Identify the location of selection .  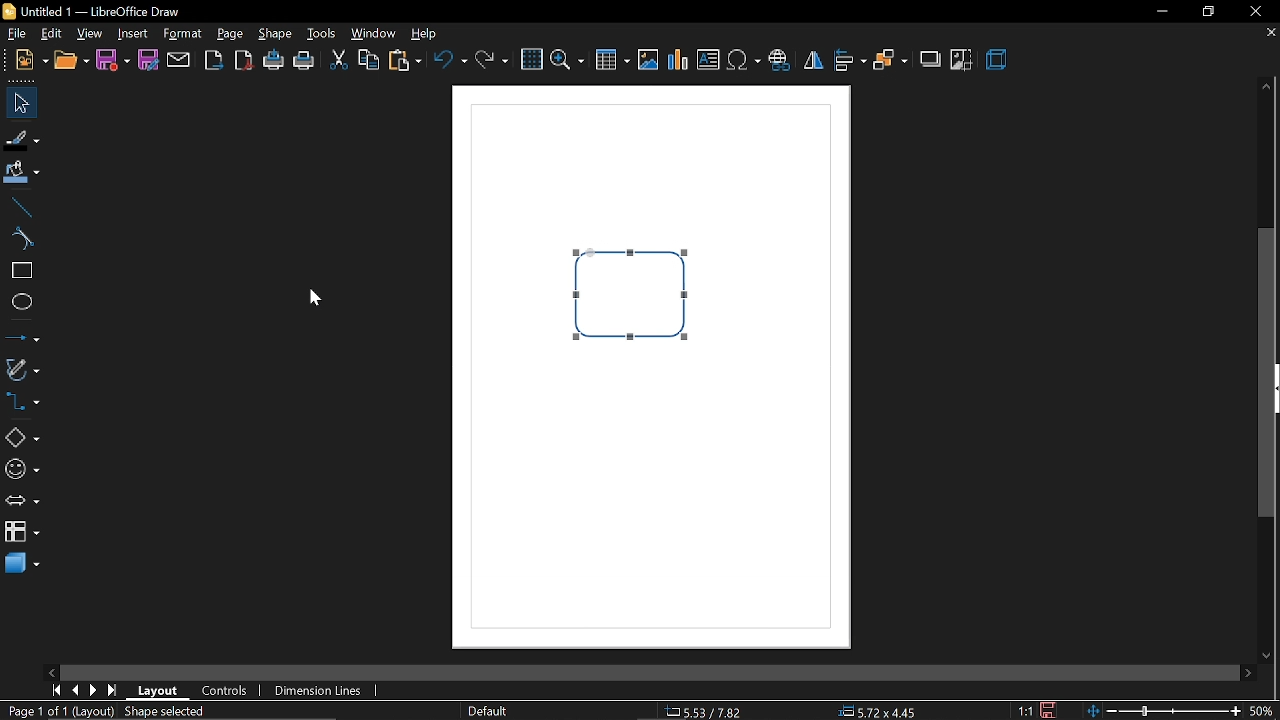
(172, 713).